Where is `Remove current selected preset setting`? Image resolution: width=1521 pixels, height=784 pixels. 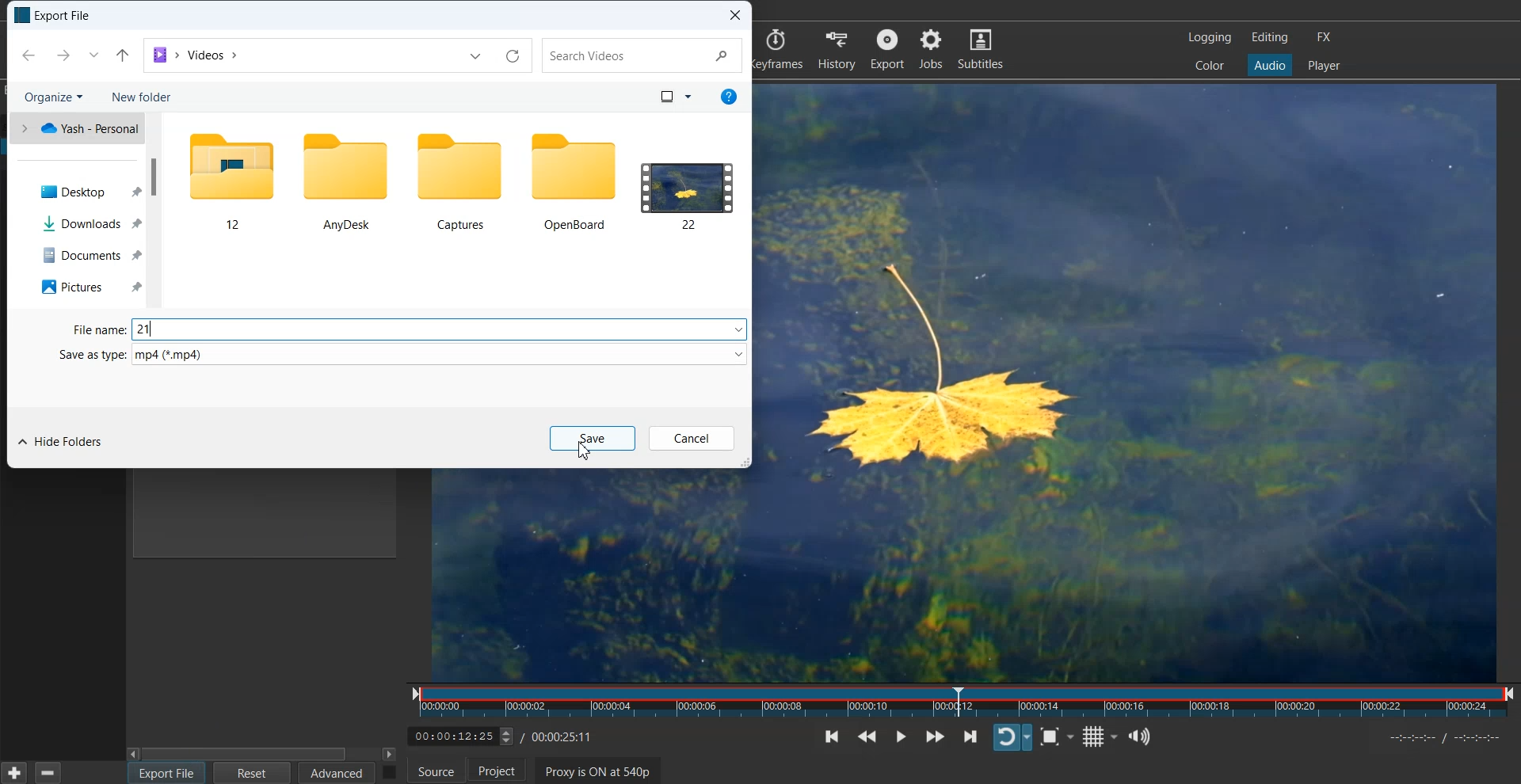 Remove current selected preset setting is located at coordinates (47, 772).